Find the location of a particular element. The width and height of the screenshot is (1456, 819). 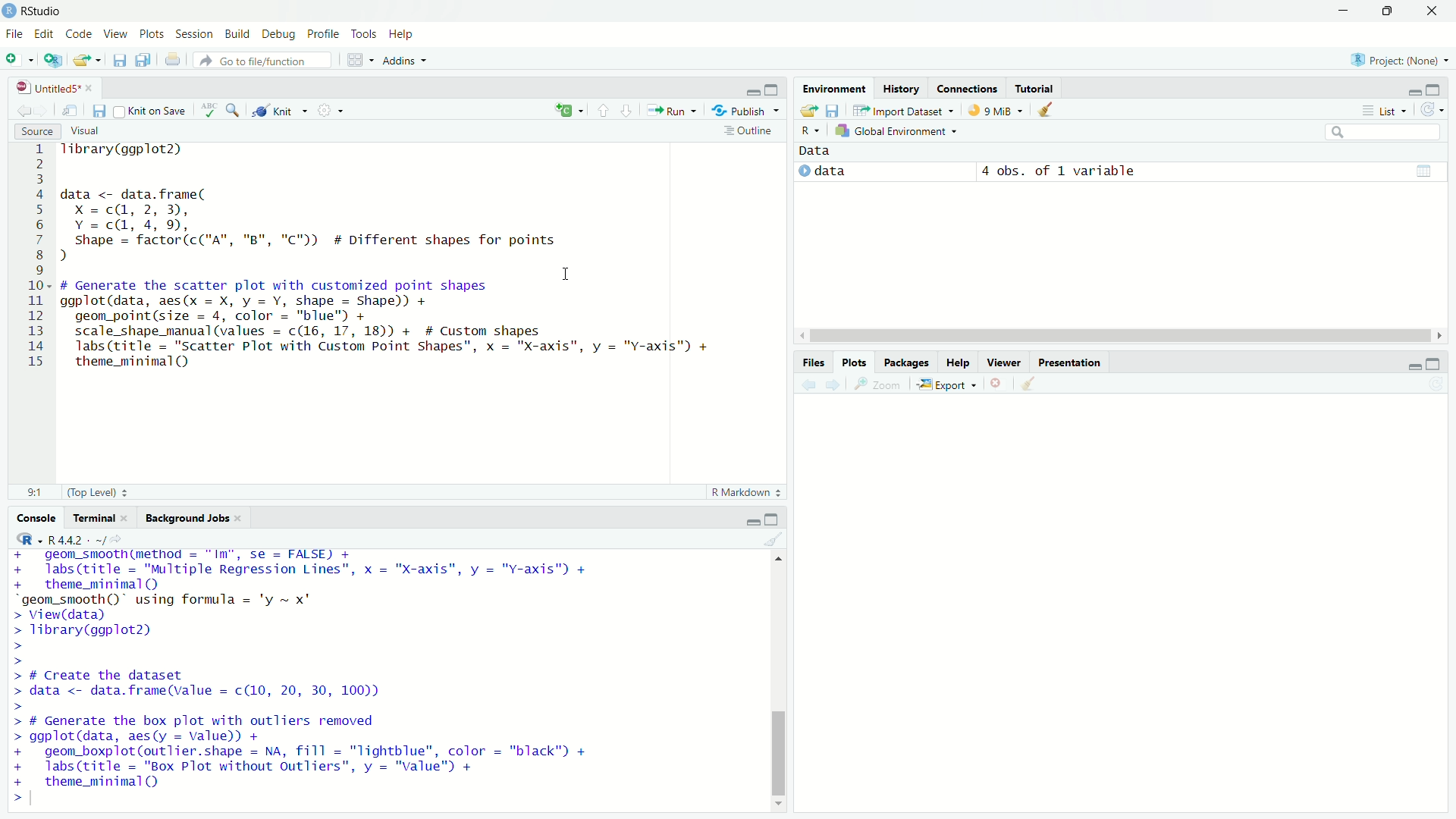

Show in new window is located at coordinates (71, 110).